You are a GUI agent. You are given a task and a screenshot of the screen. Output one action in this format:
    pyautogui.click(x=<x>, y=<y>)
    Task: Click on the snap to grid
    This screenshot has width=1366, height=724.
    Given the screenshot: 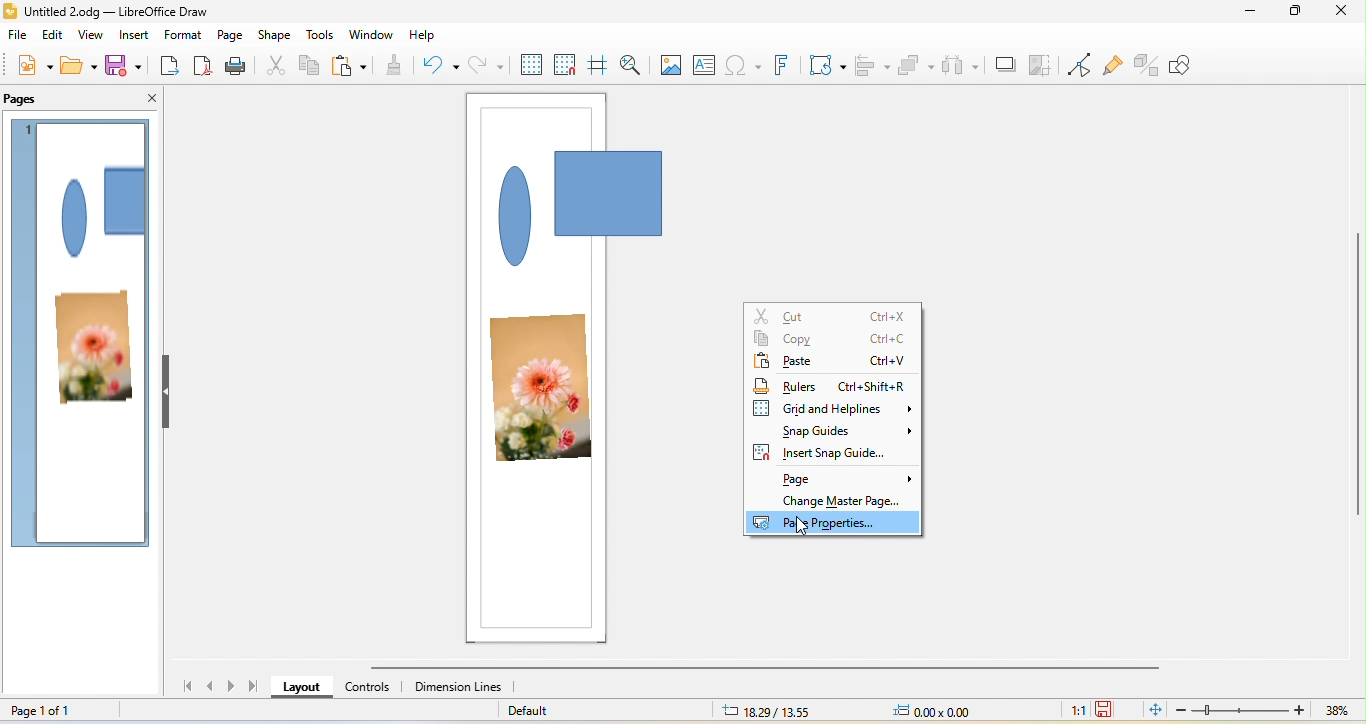 What is the action you would take?
    pyautogui.click(x=566, y=66)
    